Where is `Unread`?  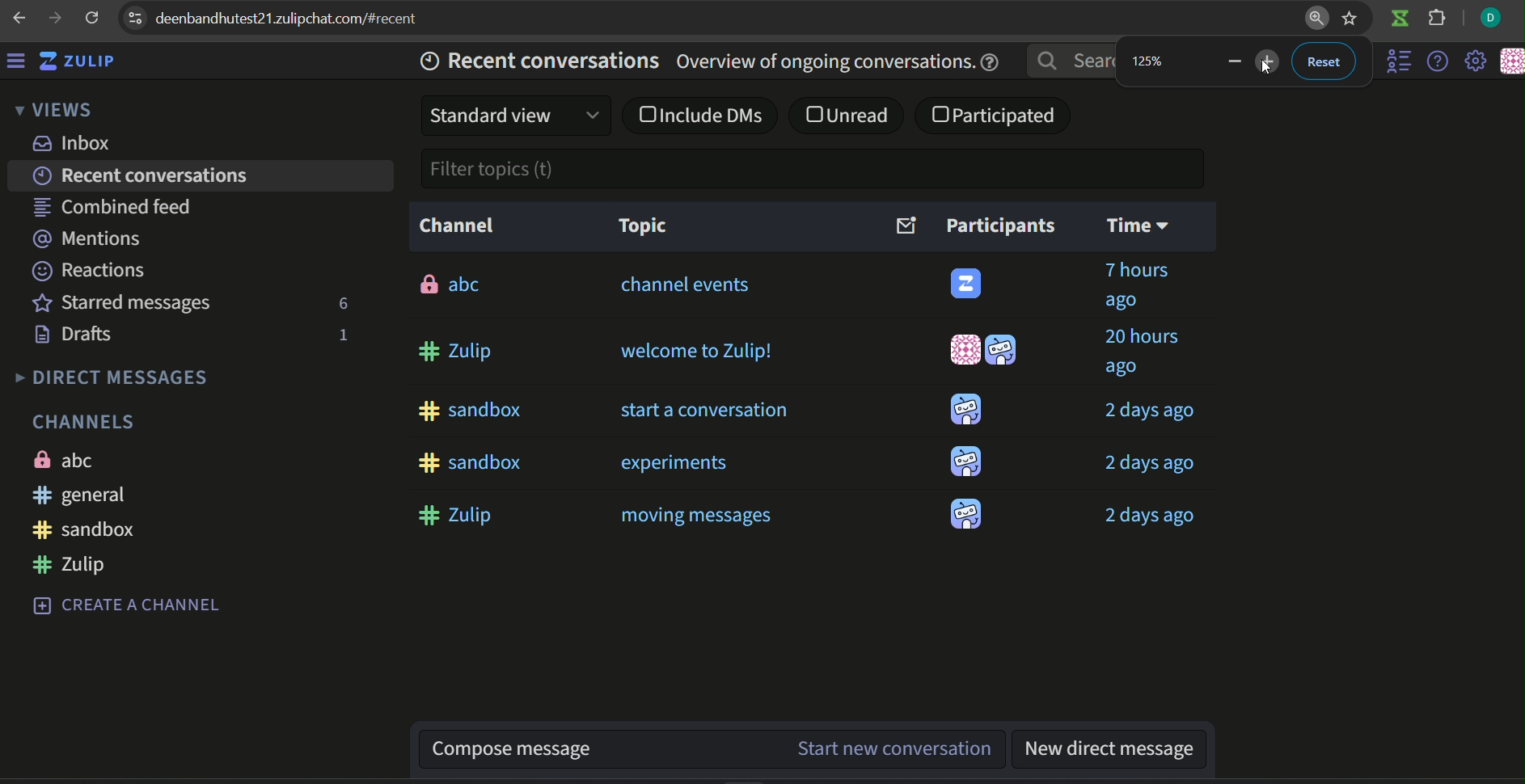 Unread is located at coordinates (850, 116).